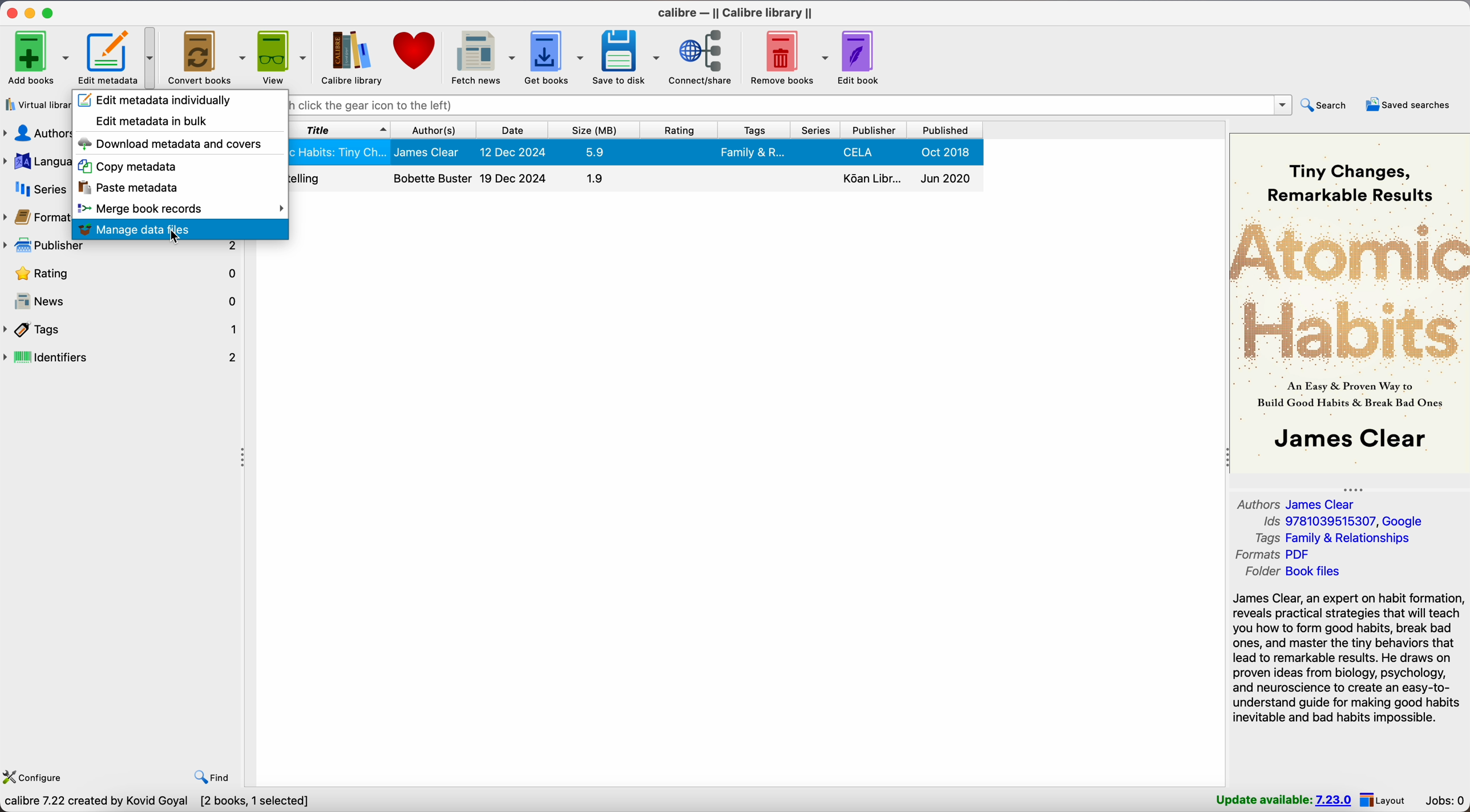  What do you see at coordinates (128, 167) in the screenshot?
I see `copy metadata` at bounding box center [128, 167].